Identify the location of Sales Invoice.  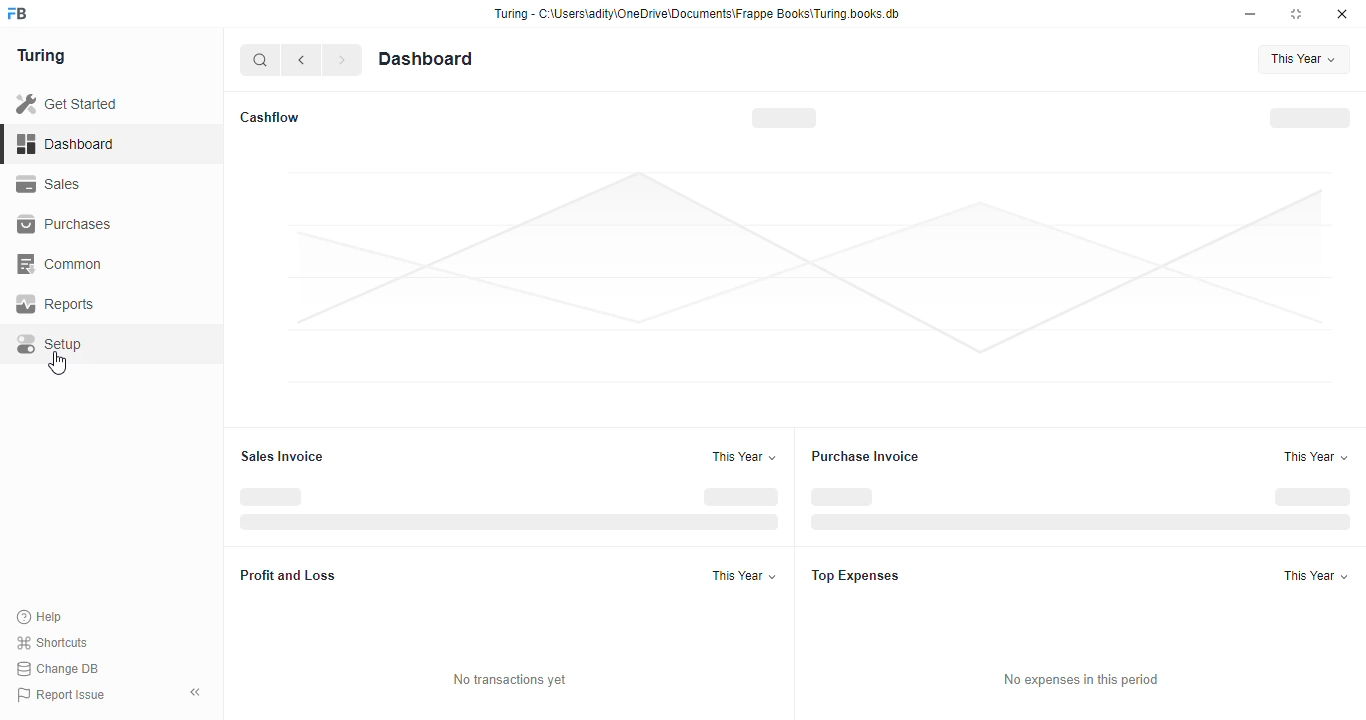
(285, 459).